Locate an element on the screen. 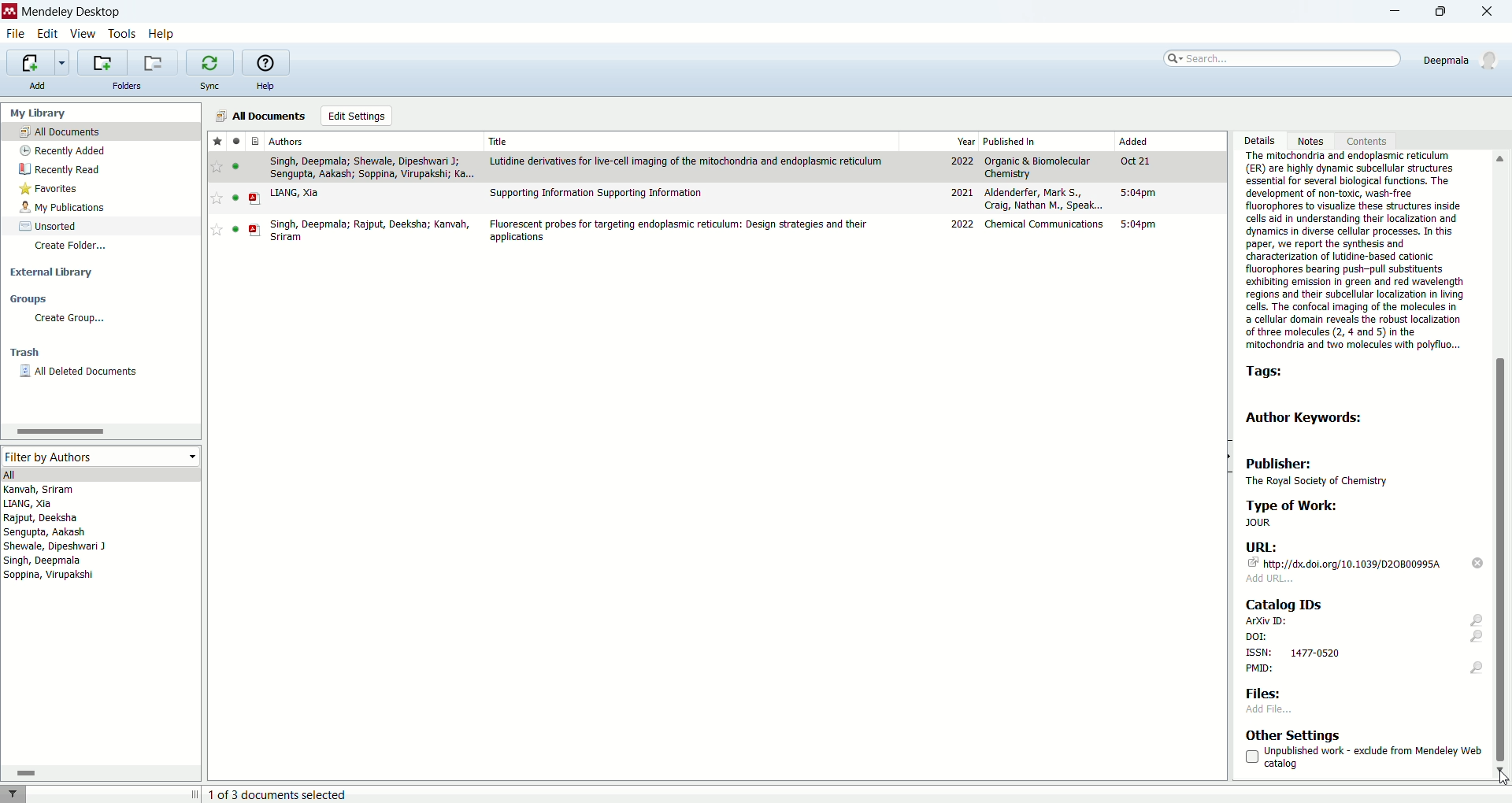  minimize is located at coordinates (1388, 13).